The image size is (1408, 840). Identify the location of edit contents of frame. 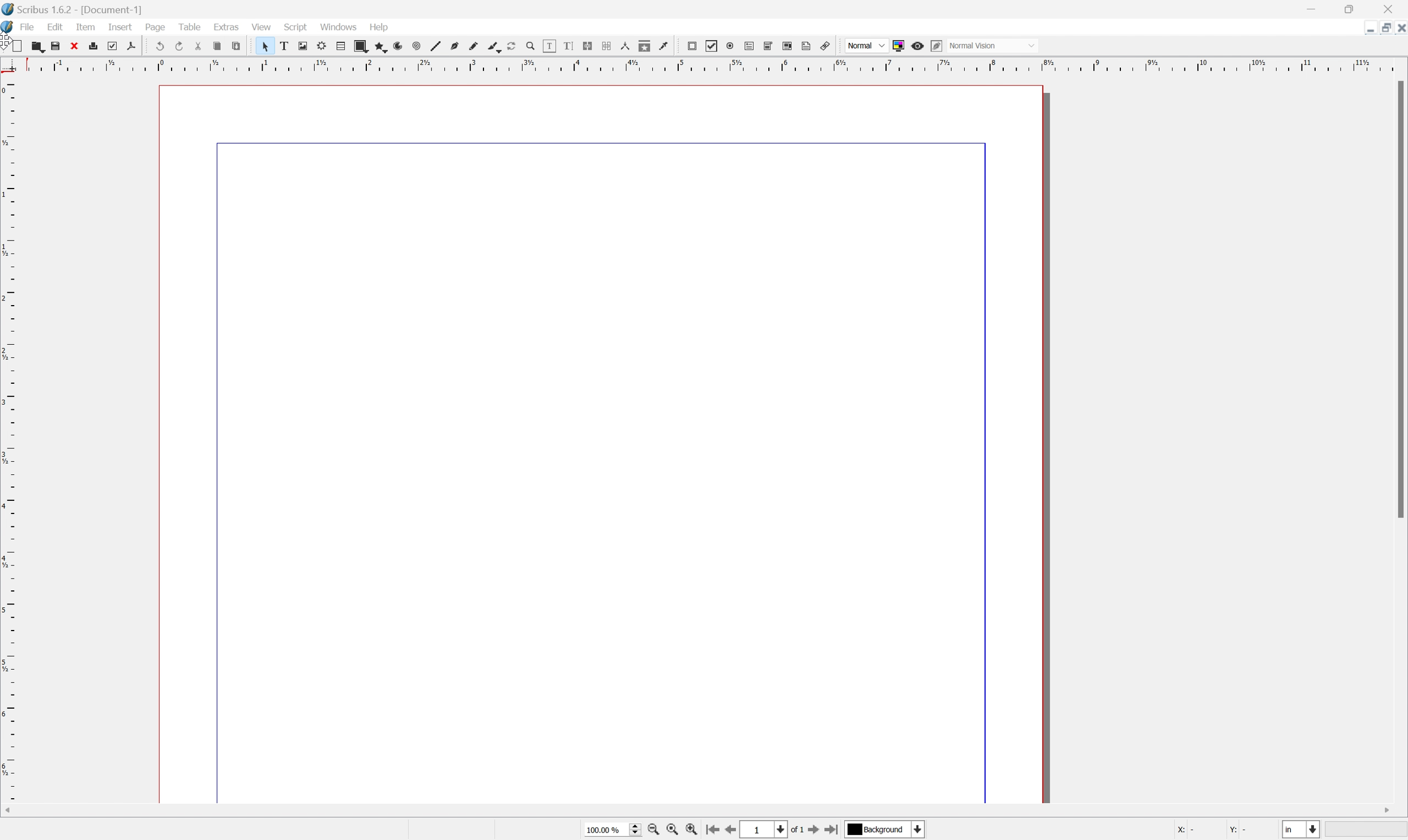
(548, 46).